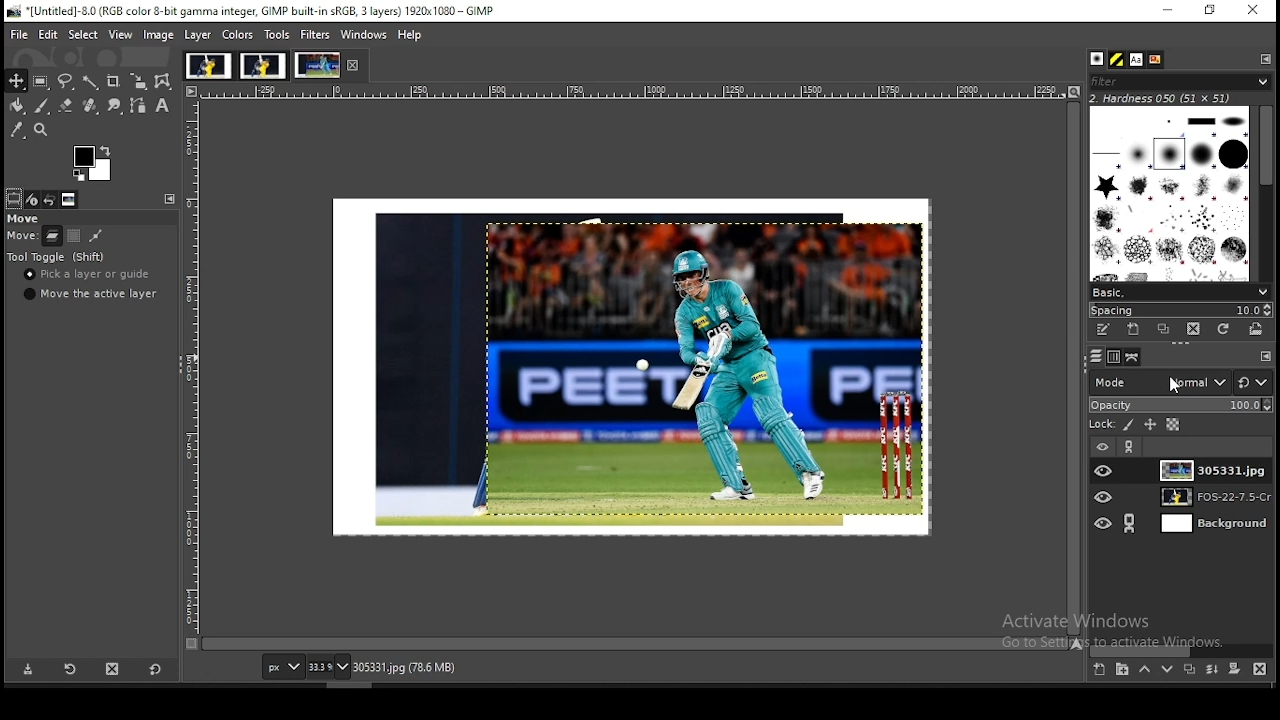  What do you see at coordinates (404, 667) in the screenshot?
I see `305331.jpg (78.6mb)` at bounding box center [404, 667].